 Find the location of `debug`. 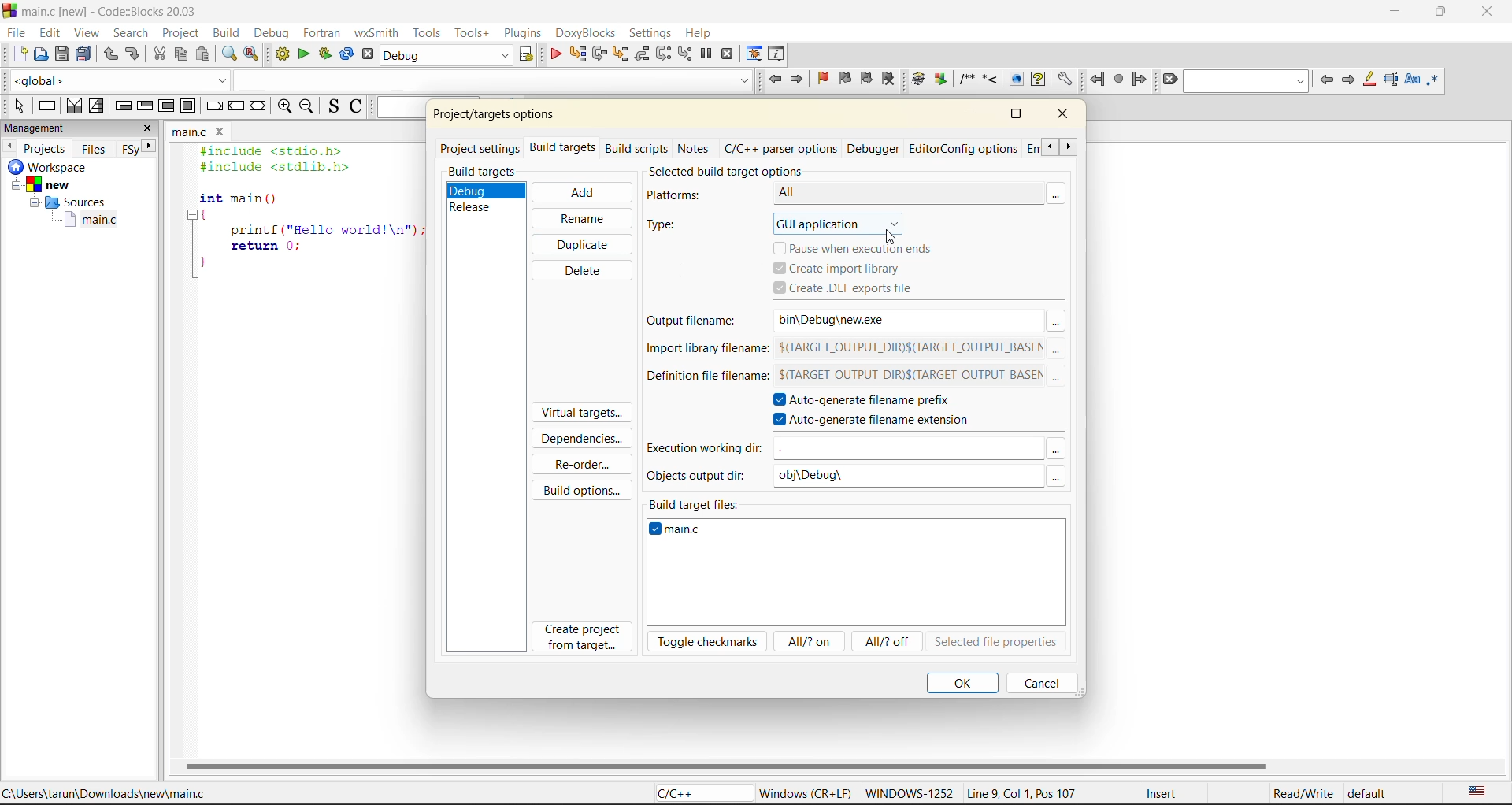

debug is located at coordinates (276, 35).